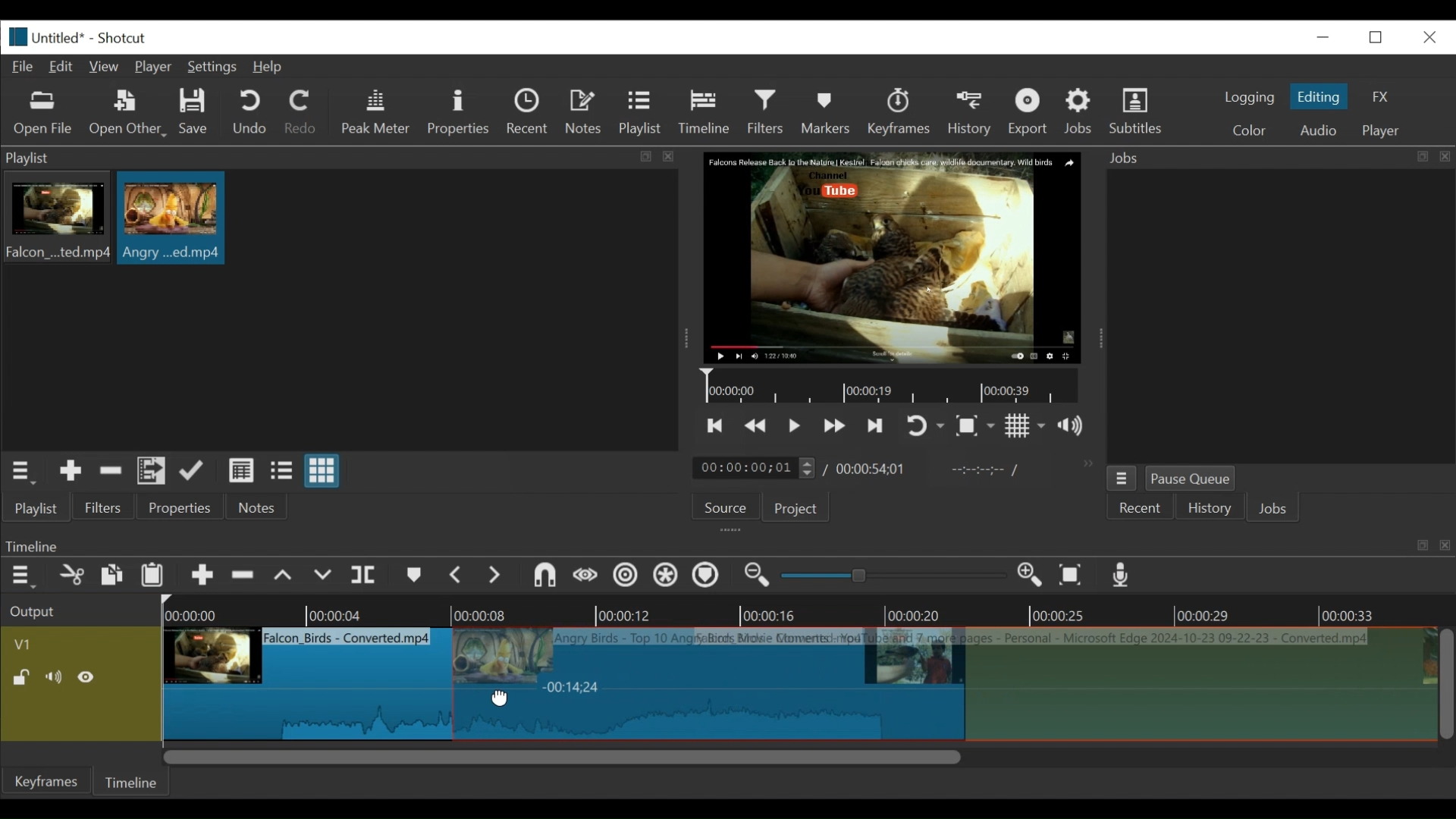 Image resolution: width=1456 pixels, height=819 pixels. Describe the element at coordinates (21, 677) in the screenshot. I see `(un)lock track` at that location.